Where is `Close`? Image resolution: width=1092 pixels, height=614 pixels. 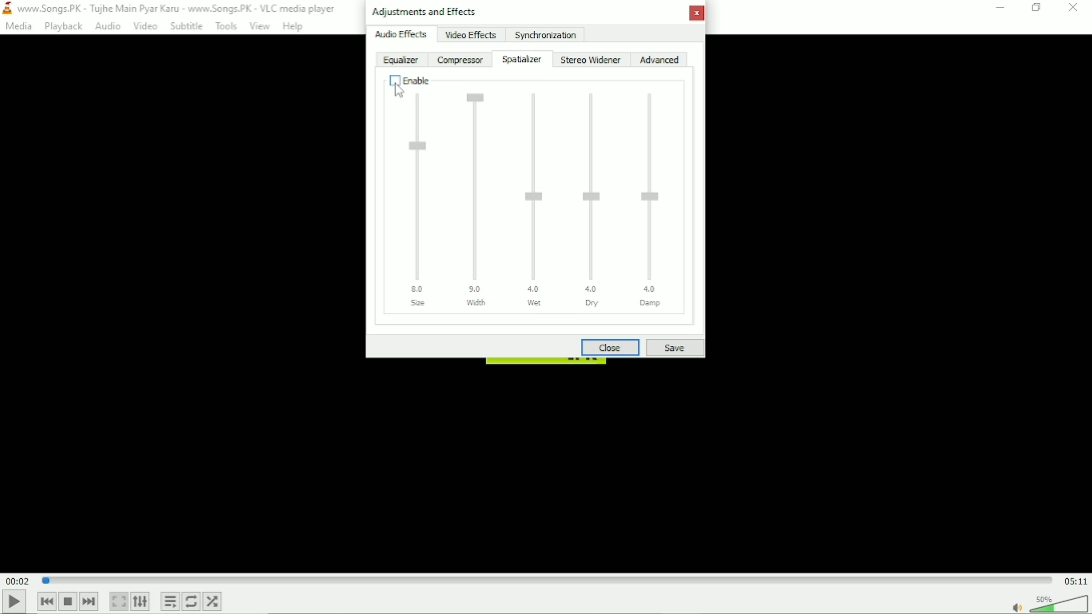 Close is located at coordinates (1073, 9).